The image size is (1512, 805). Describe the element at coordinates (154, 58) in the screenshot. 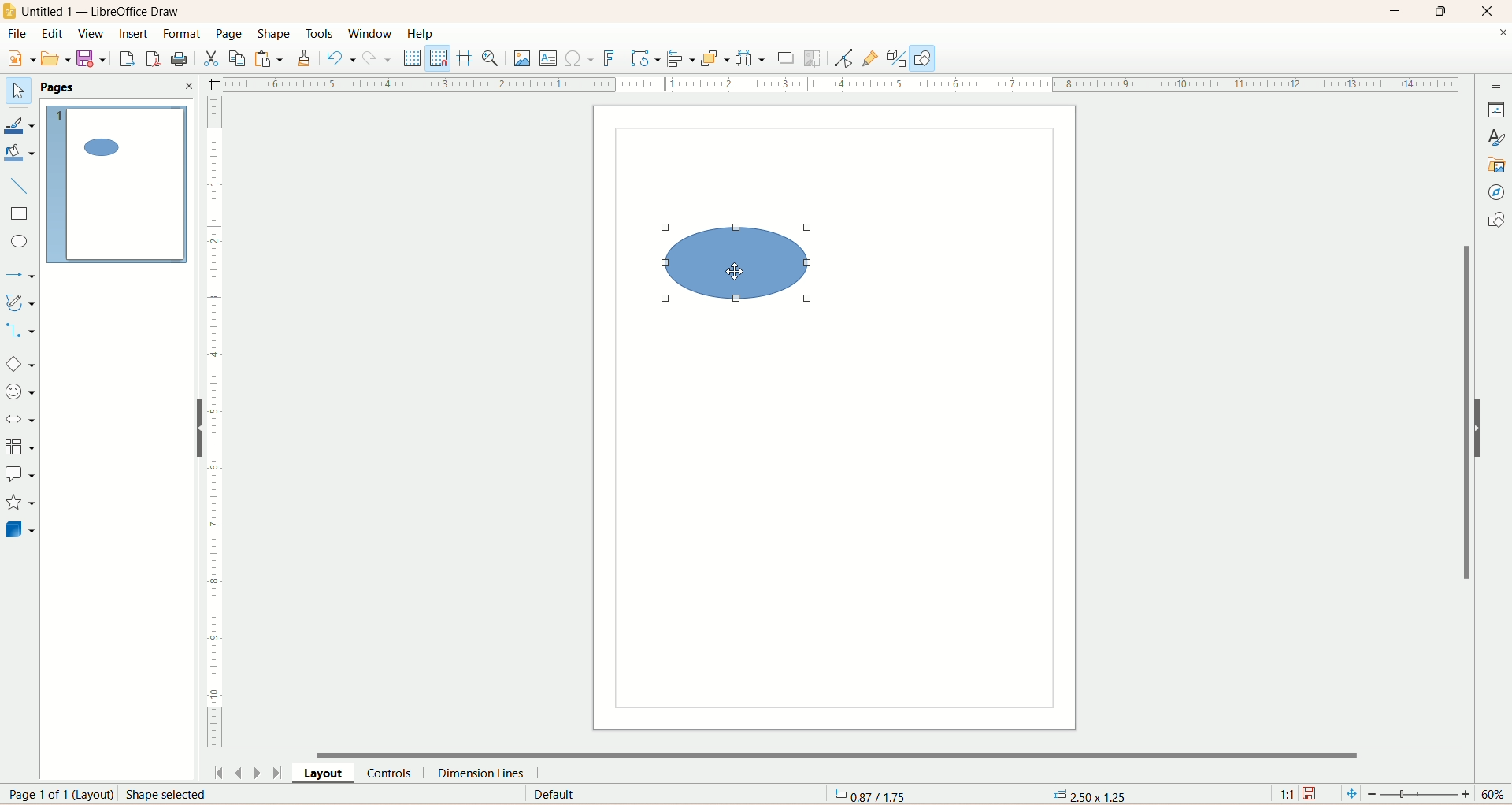

I see `export directly as PDF` at that location.